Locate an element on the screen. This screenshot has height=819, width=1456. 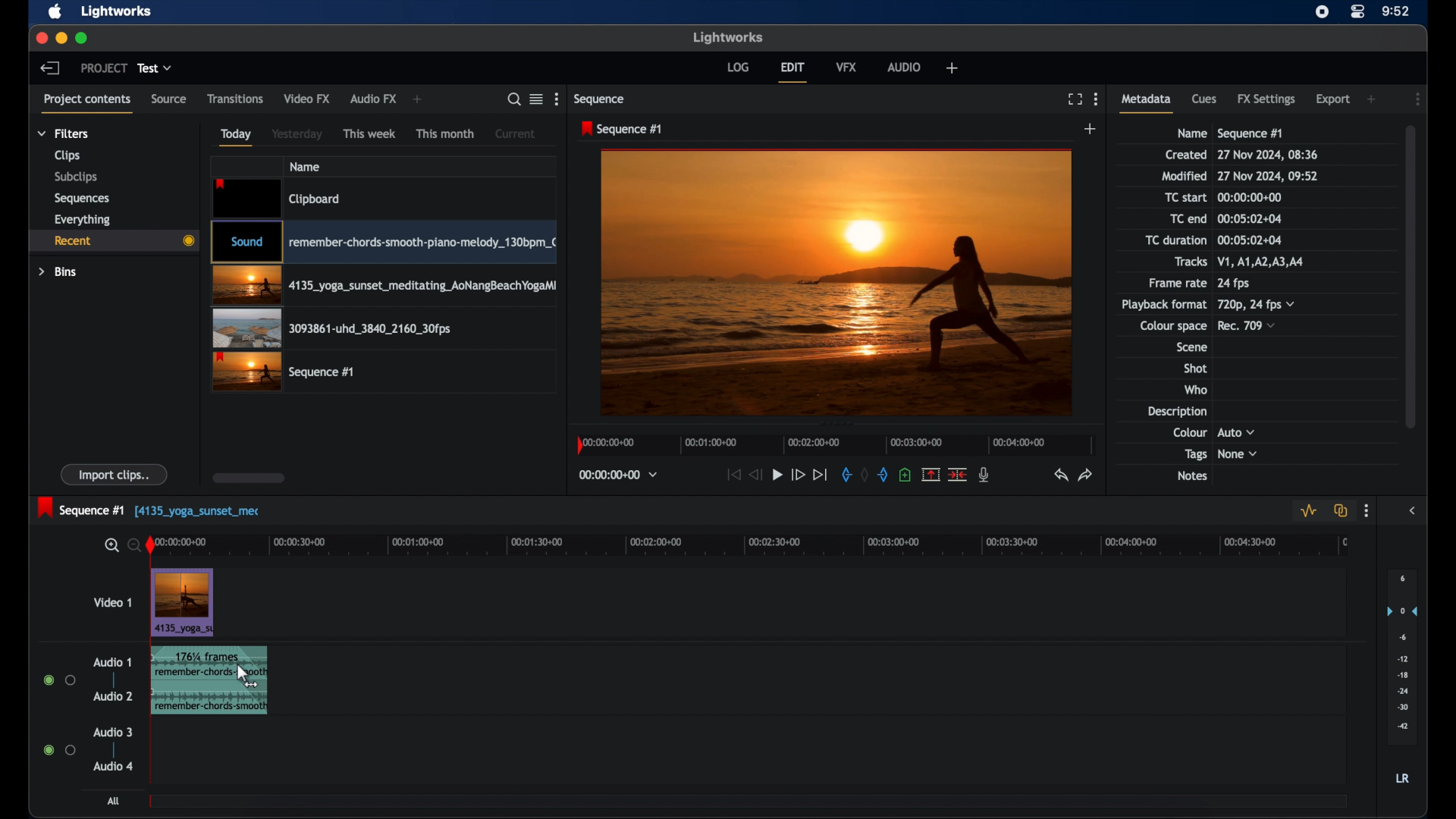
tracks is located at coordinates (1191, 262).